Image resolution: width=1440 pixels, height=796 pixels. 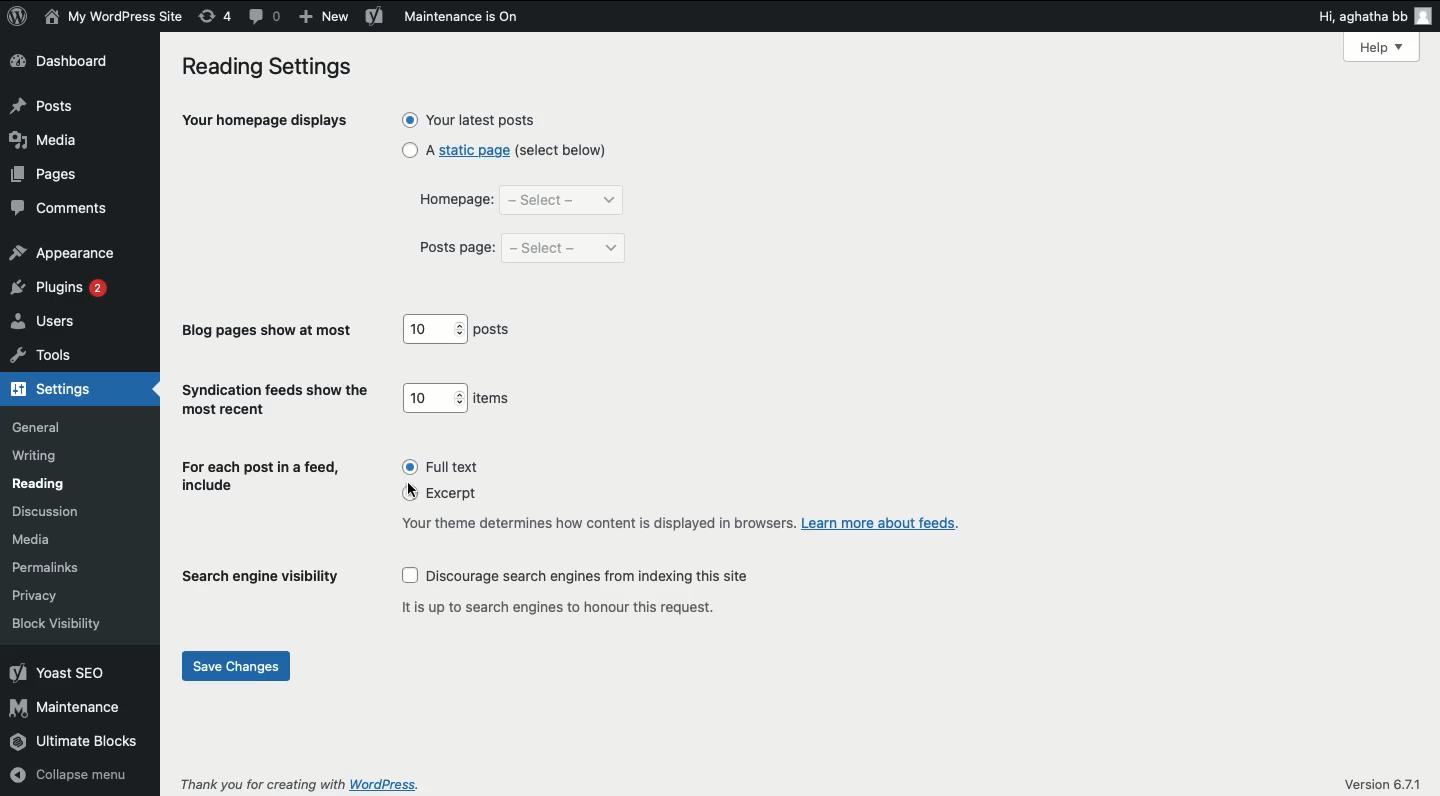 What do you see at coordinates (46, 355) in the screenshot?
I see `tools` at bounding box center [46, 355].